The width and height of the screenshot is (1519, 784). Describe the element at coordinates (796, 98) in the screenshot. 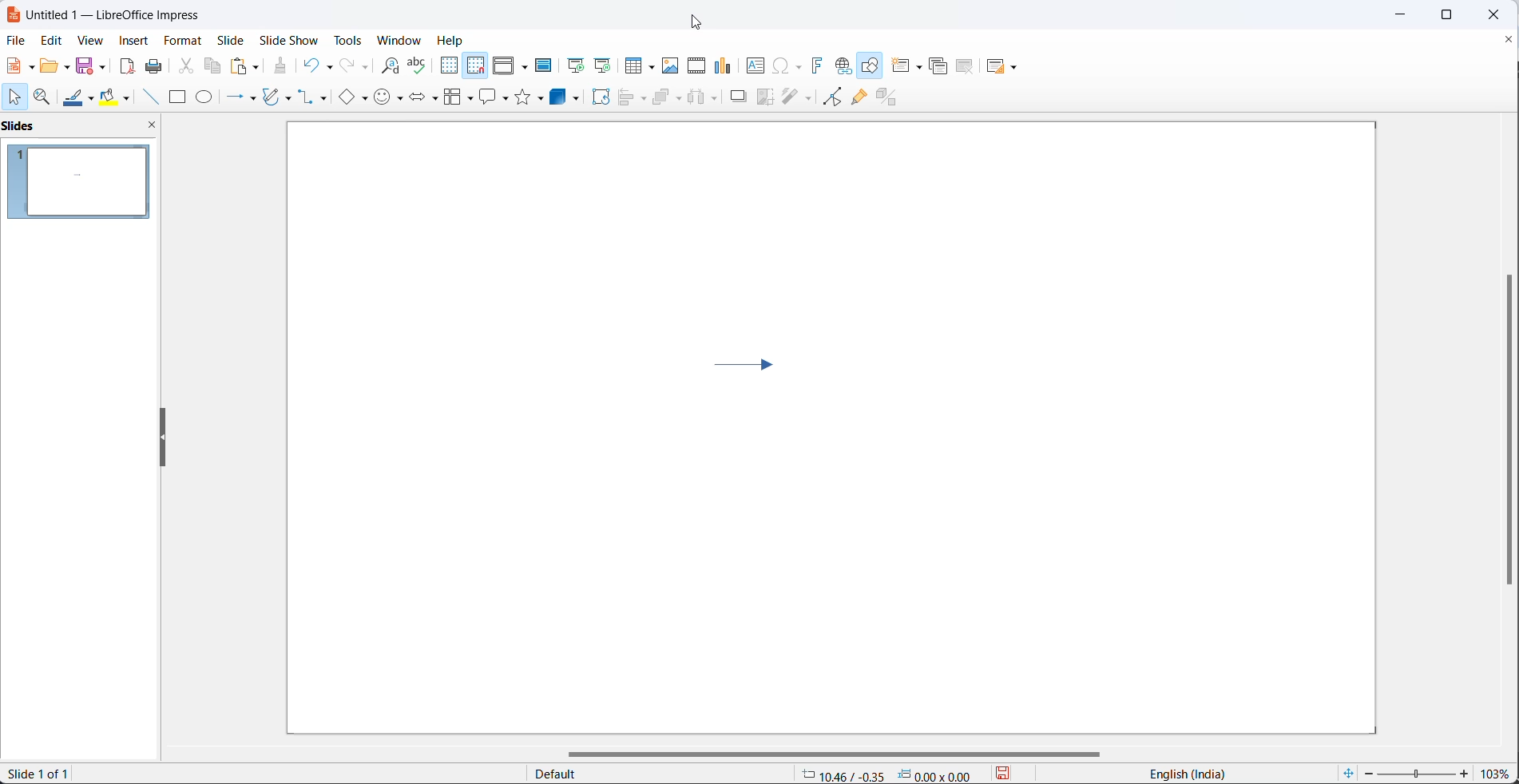

I see `filters` at that location.